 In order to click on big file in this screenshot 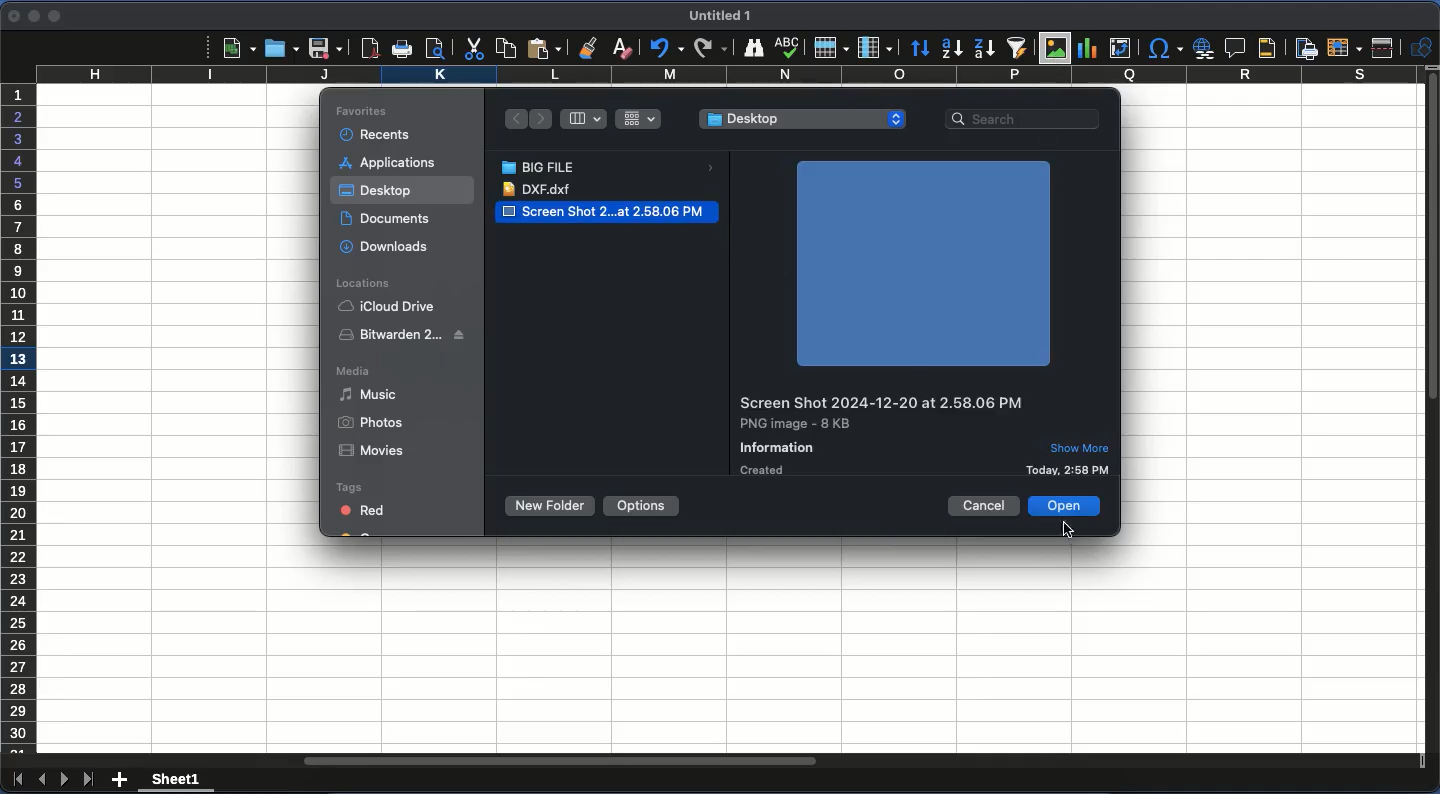, I will do `click(613, 168)`.